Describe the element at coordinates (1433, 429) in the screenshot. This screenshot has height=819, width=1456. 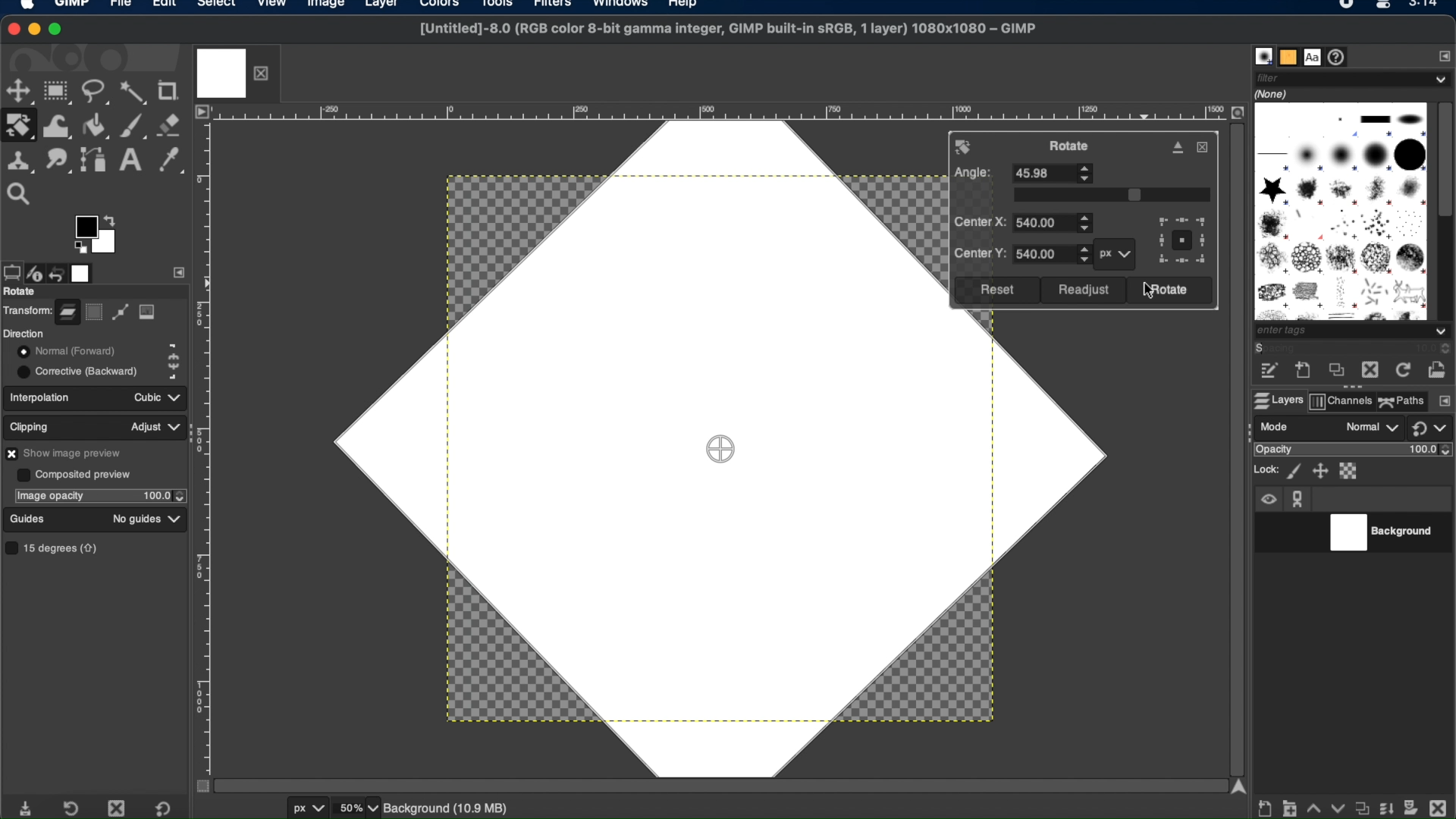
I see `switch to another group of modes` at that location.